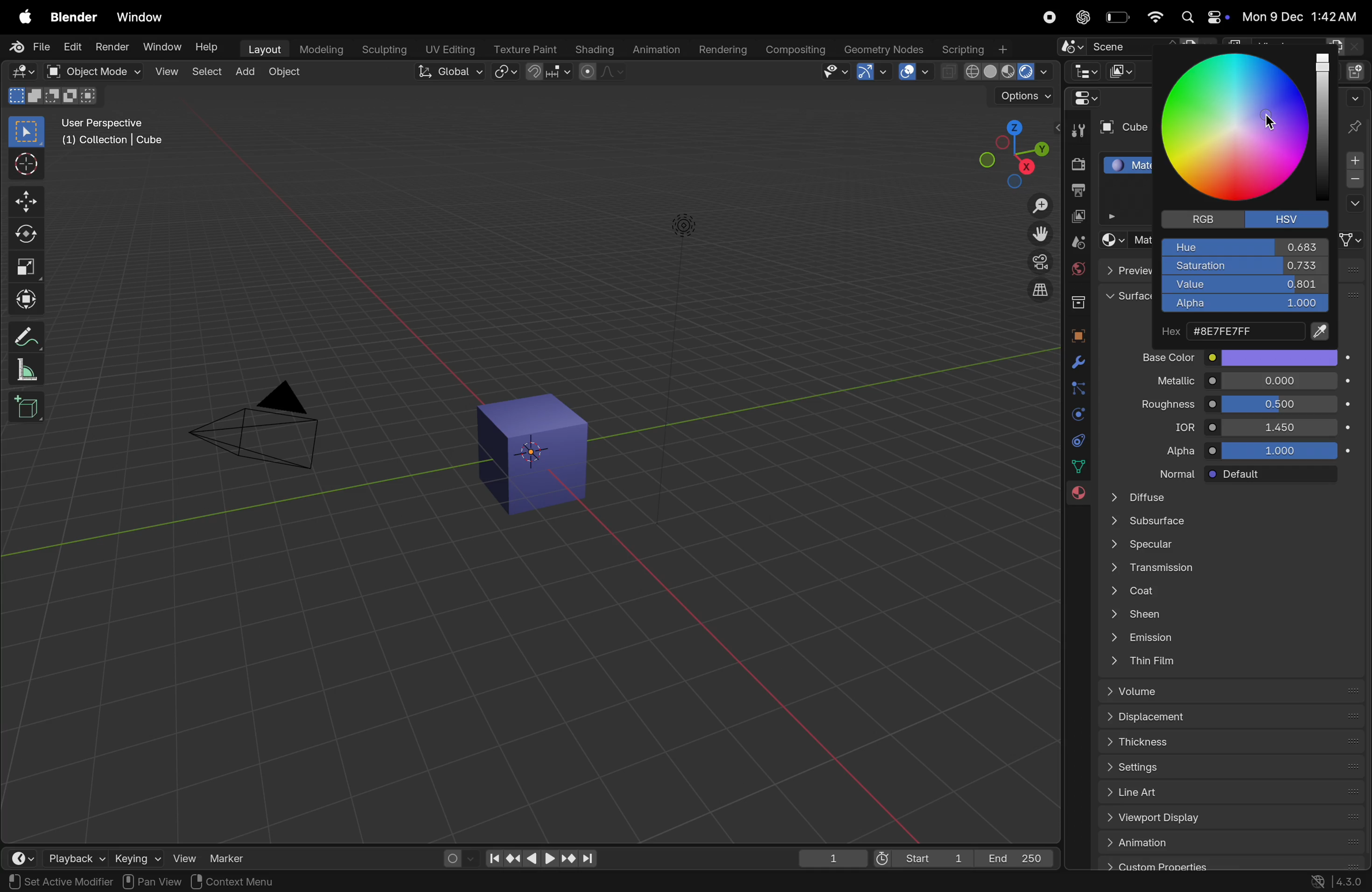 The width and height of the screenshot is (1372, 892). Describe the element at coordinates (1280, 404) in the screenshot. I see `0.500` at that location.